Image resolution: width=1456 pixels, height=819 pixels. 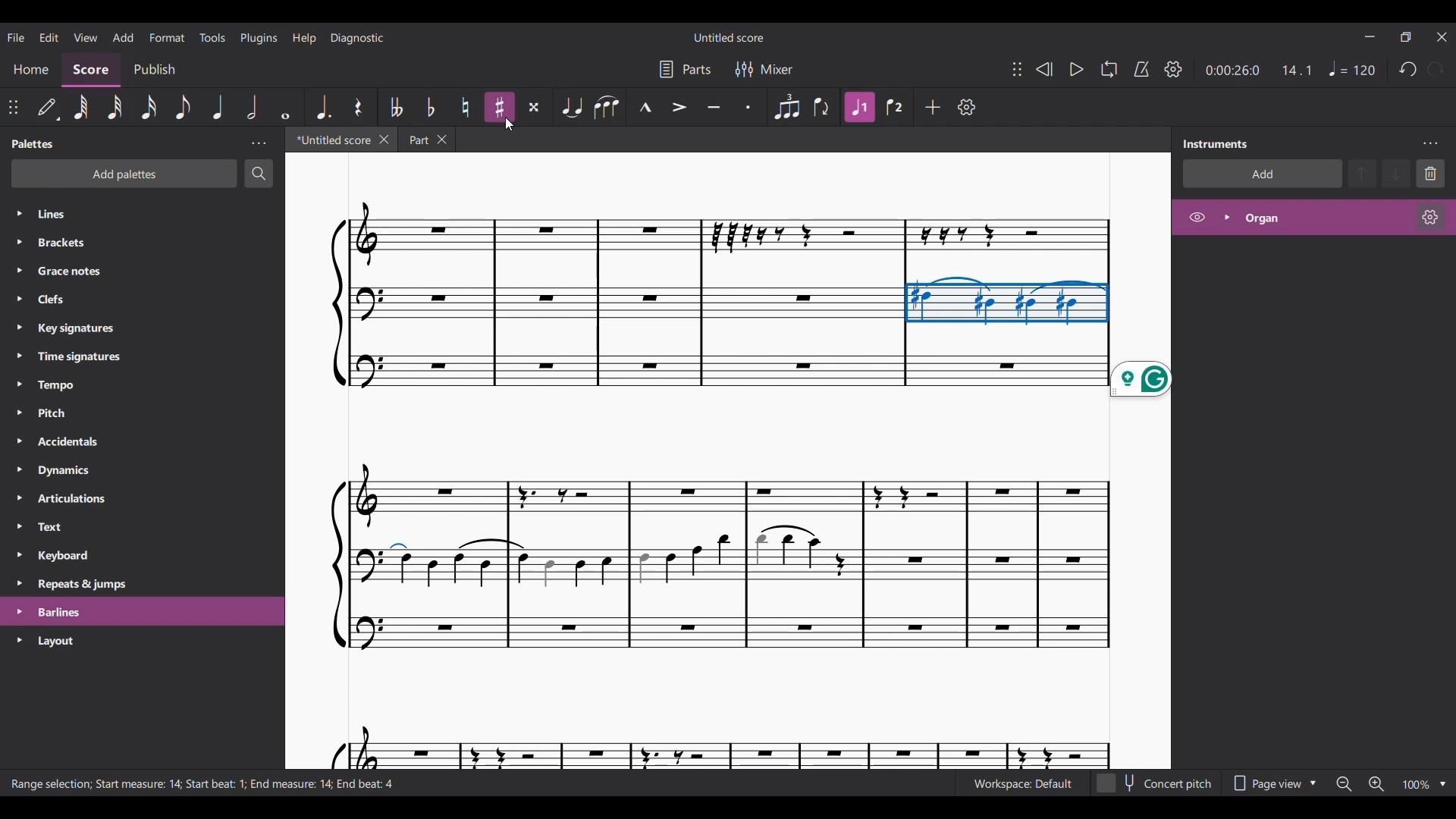 I want to click on 16th note, so click(x=148, y=108).